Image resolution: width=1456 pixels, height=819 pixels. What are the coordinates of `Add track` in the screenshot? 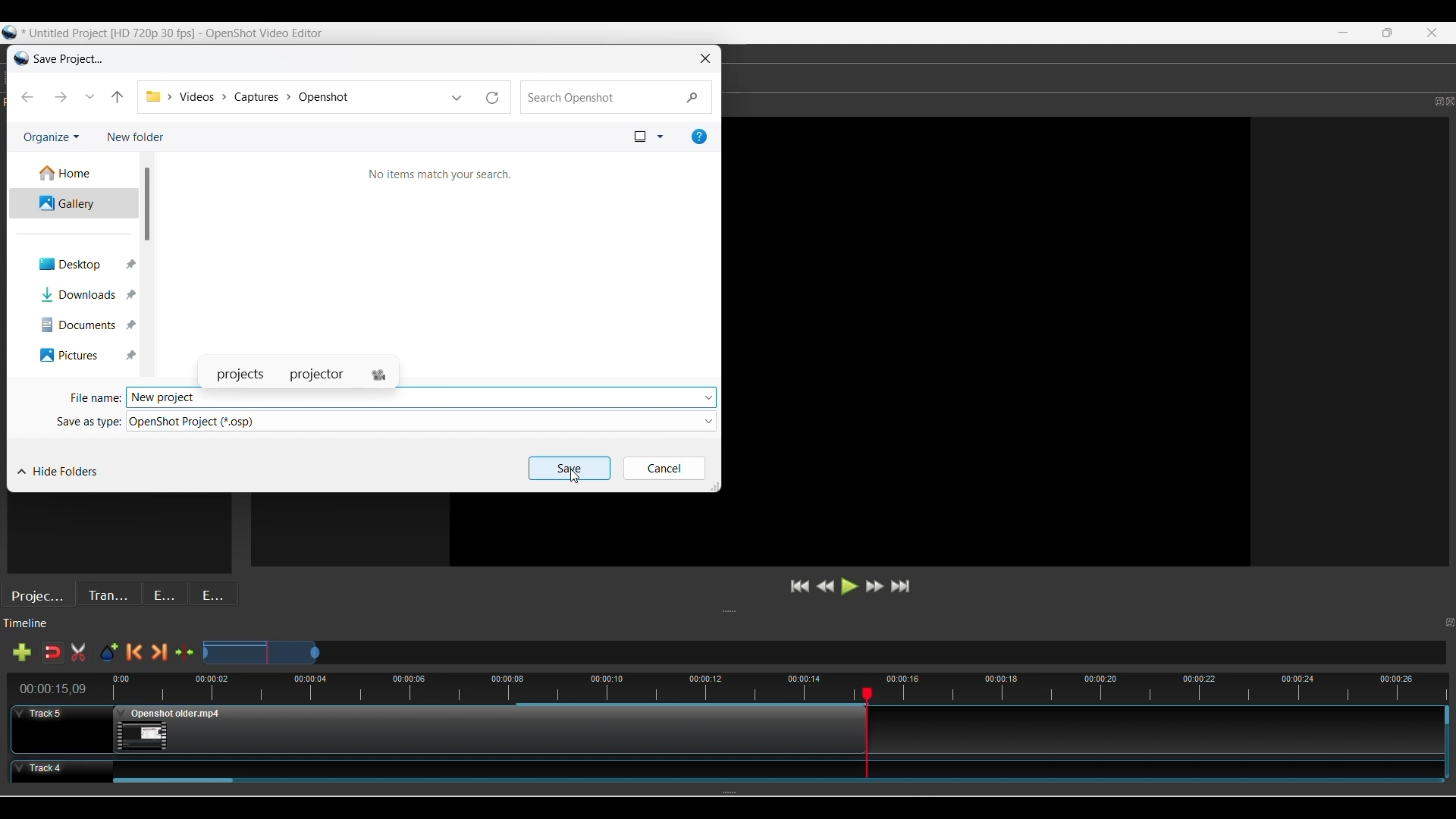 It's located at (21, 652).